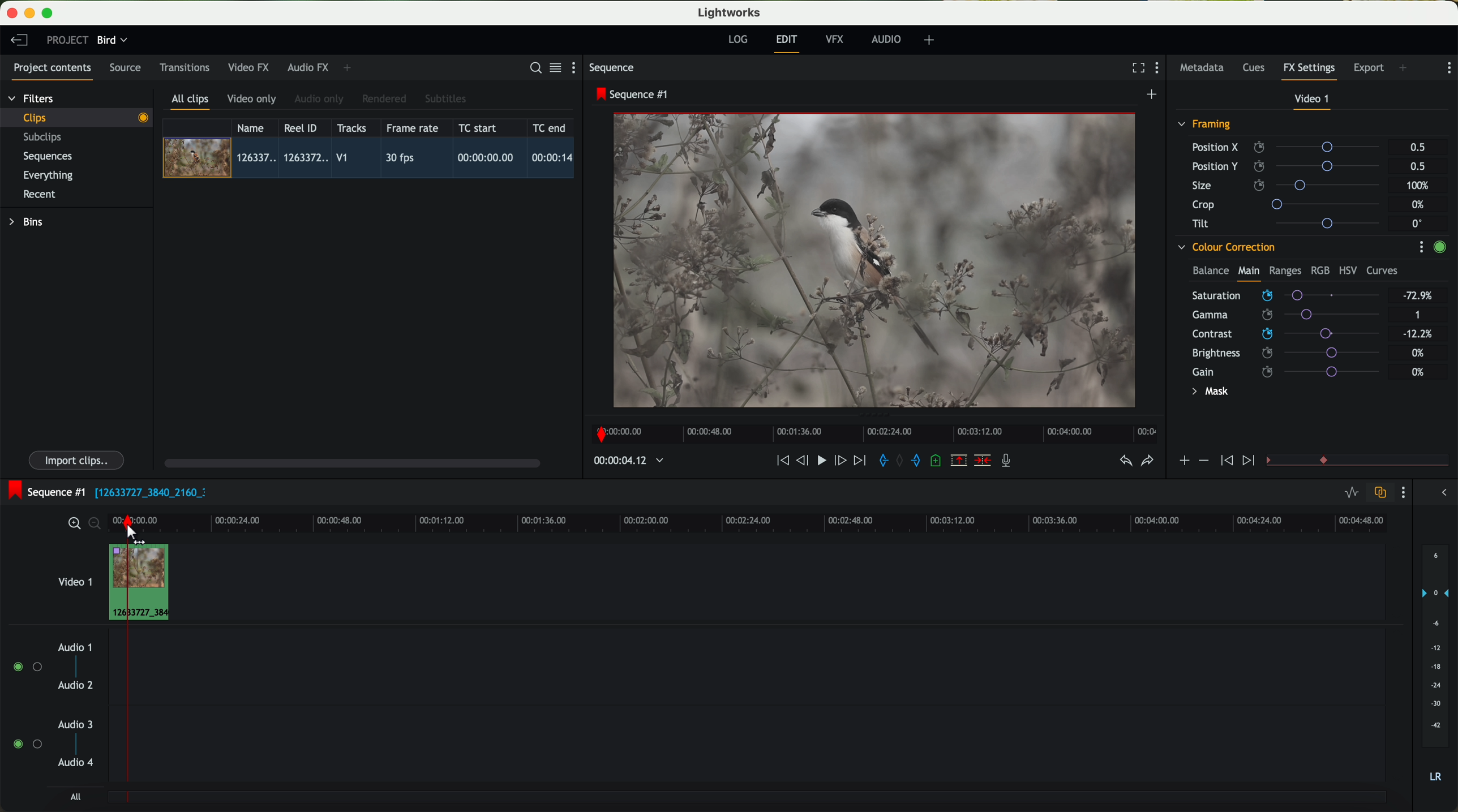 The height and width of the screenshot is (812, 1458). I want to click on add a cue at the current position, so click(937, 461).